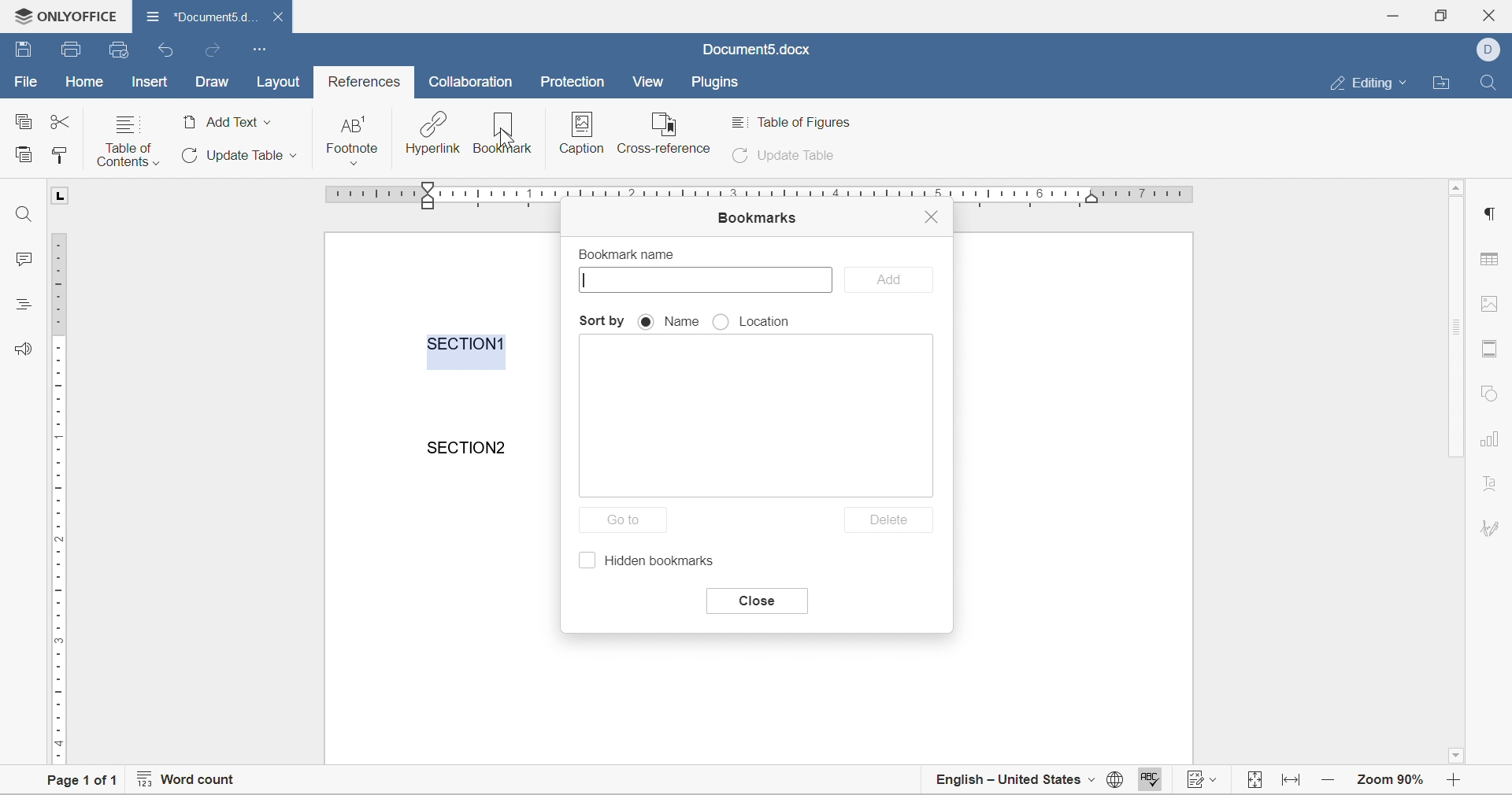  I want to click on bookmark, so click(500, 132).